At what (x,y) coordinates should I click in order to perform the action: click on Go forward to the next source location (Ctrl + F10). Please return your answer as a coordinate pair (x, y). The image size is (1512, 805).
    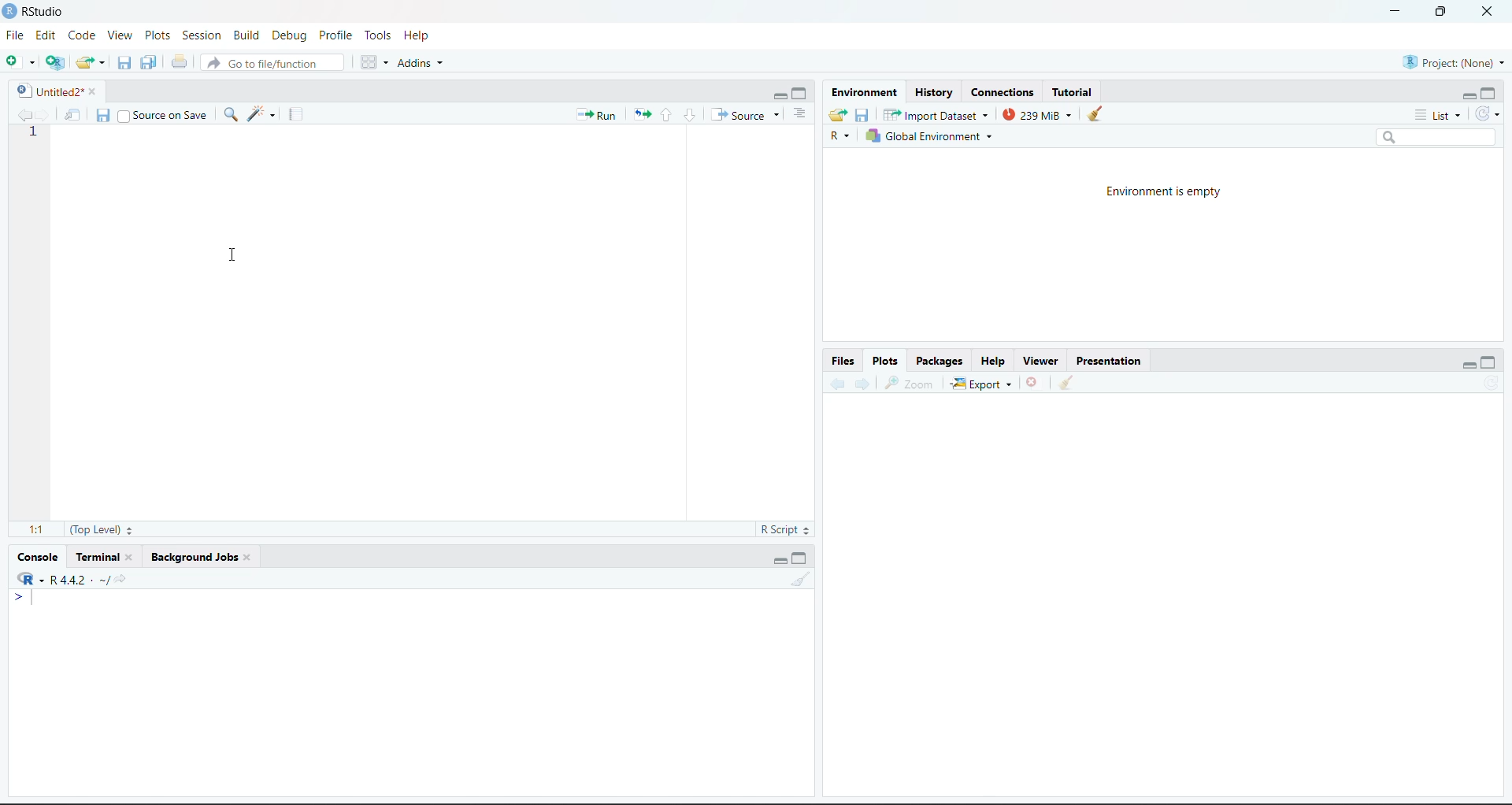
    Looking at the image, I should click on (861, 384).